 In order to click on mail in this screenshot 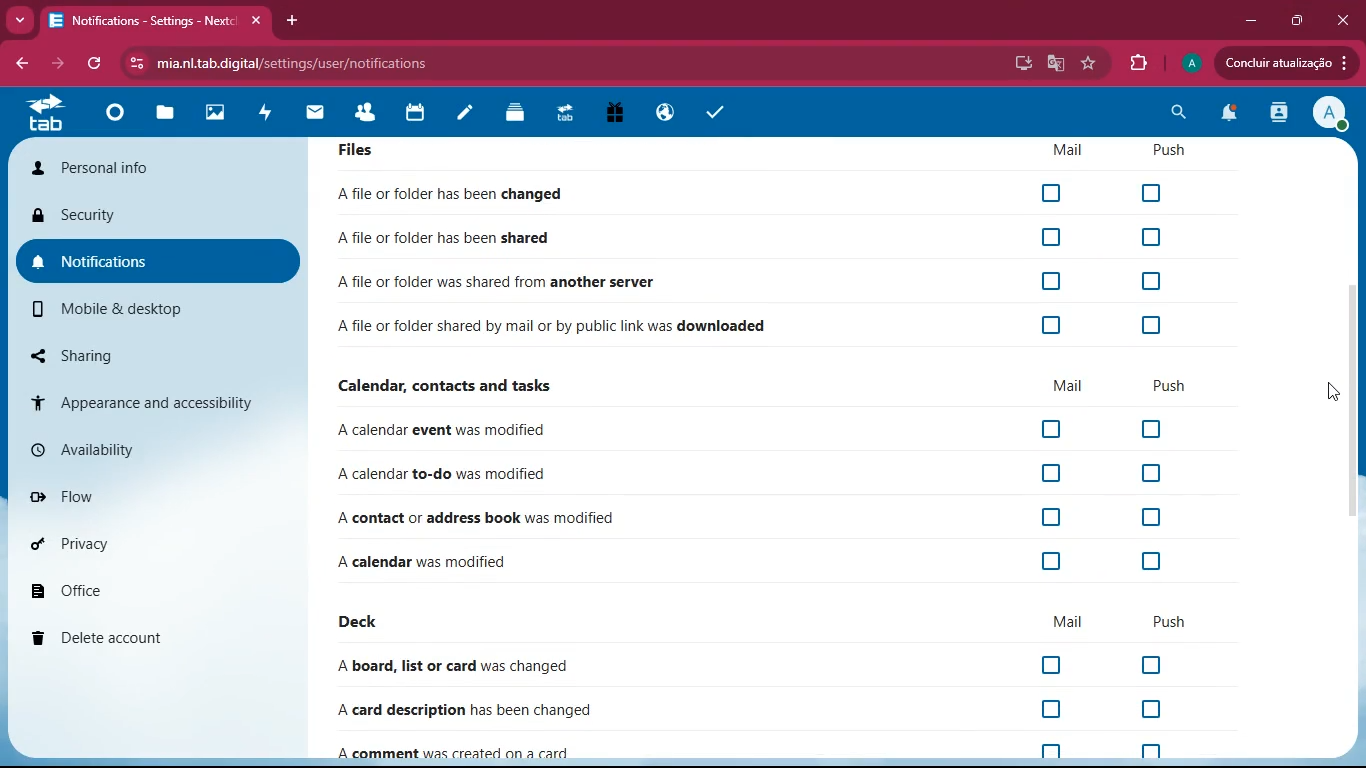, I will do `click(1062, 622)`.